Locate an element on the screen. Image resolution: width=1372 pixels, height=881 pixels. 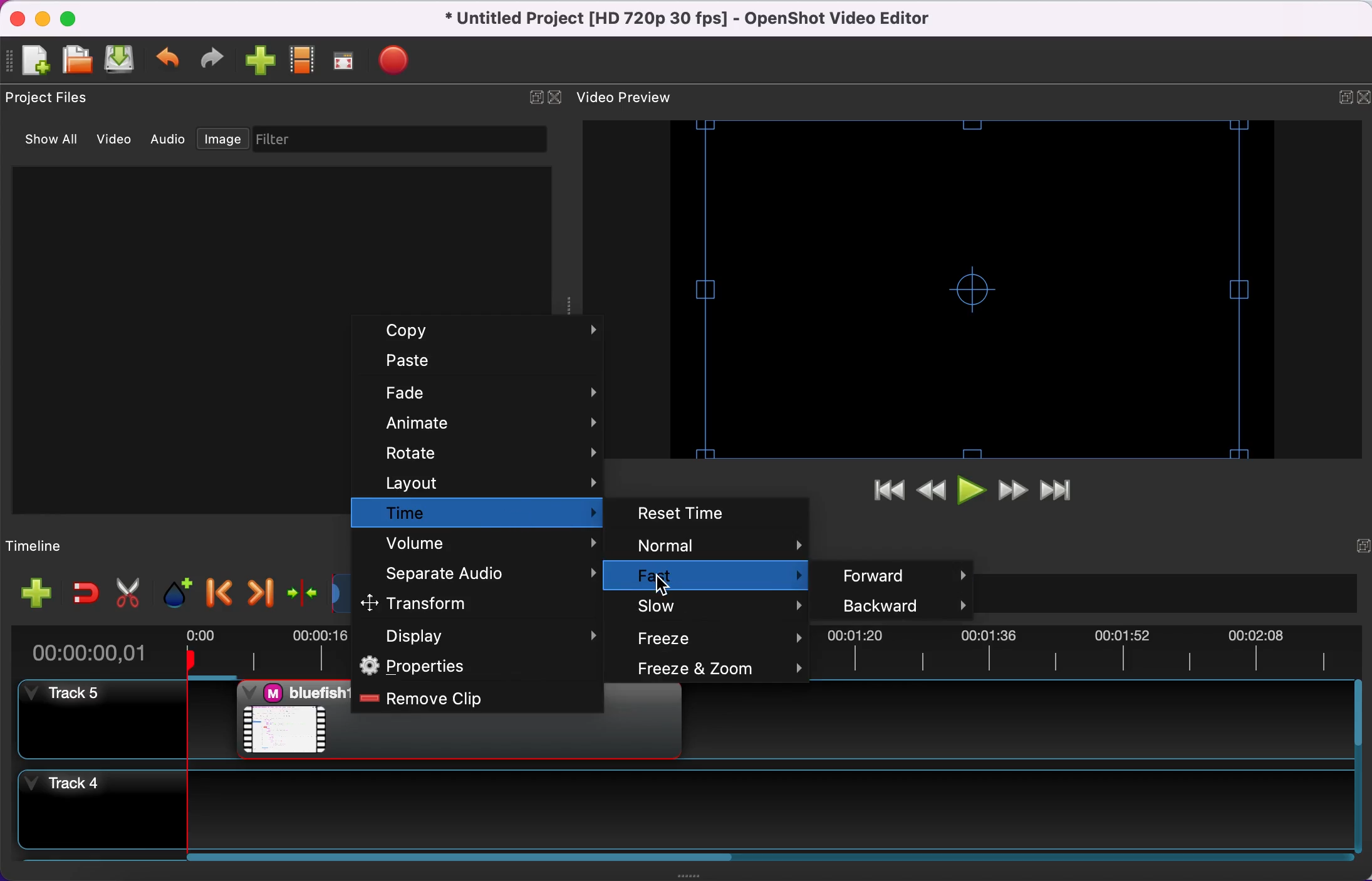
redo is located at coordinates (217, 61).